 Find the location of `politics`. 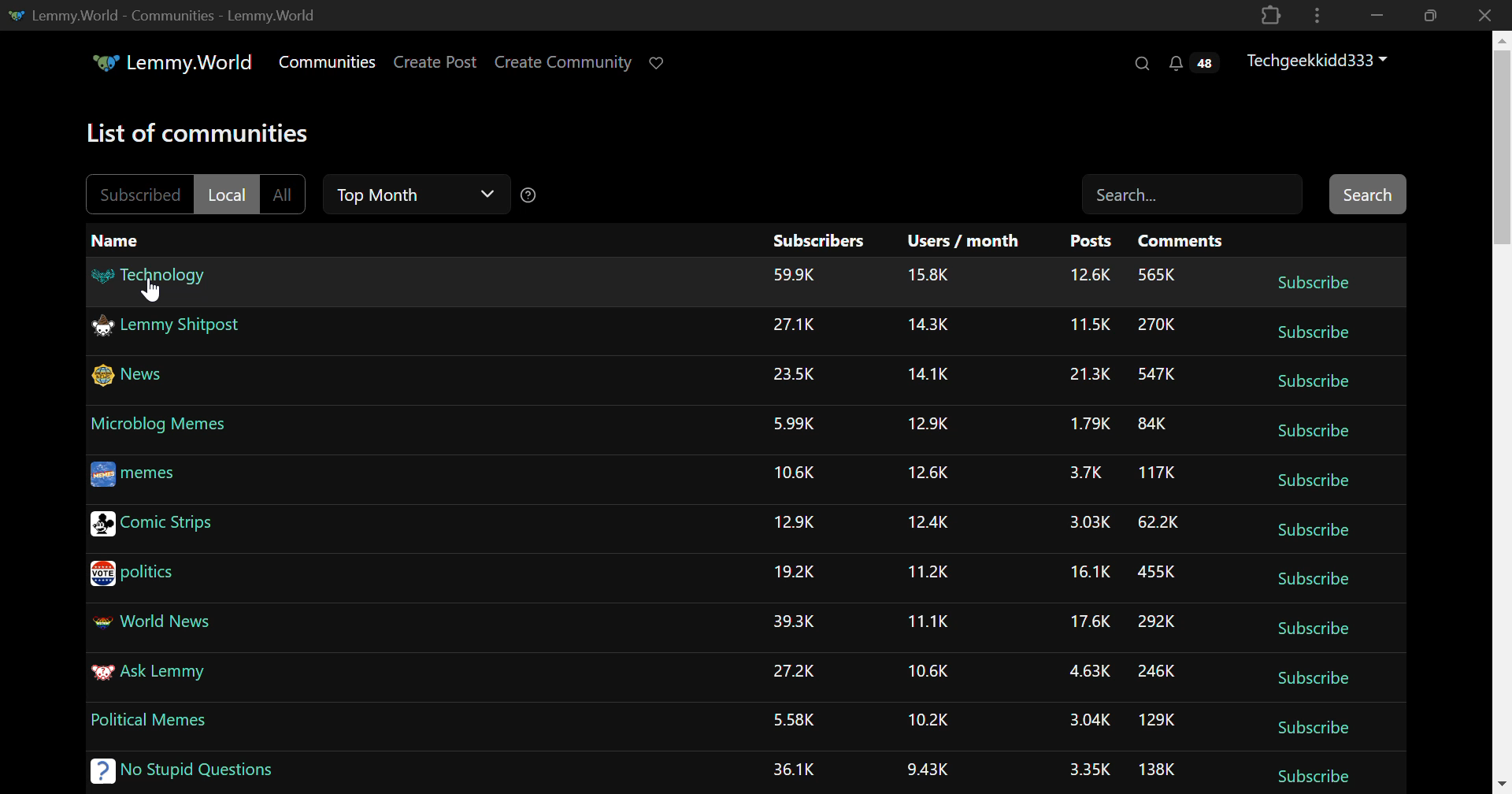

politics is located at coordinates (134, 574).